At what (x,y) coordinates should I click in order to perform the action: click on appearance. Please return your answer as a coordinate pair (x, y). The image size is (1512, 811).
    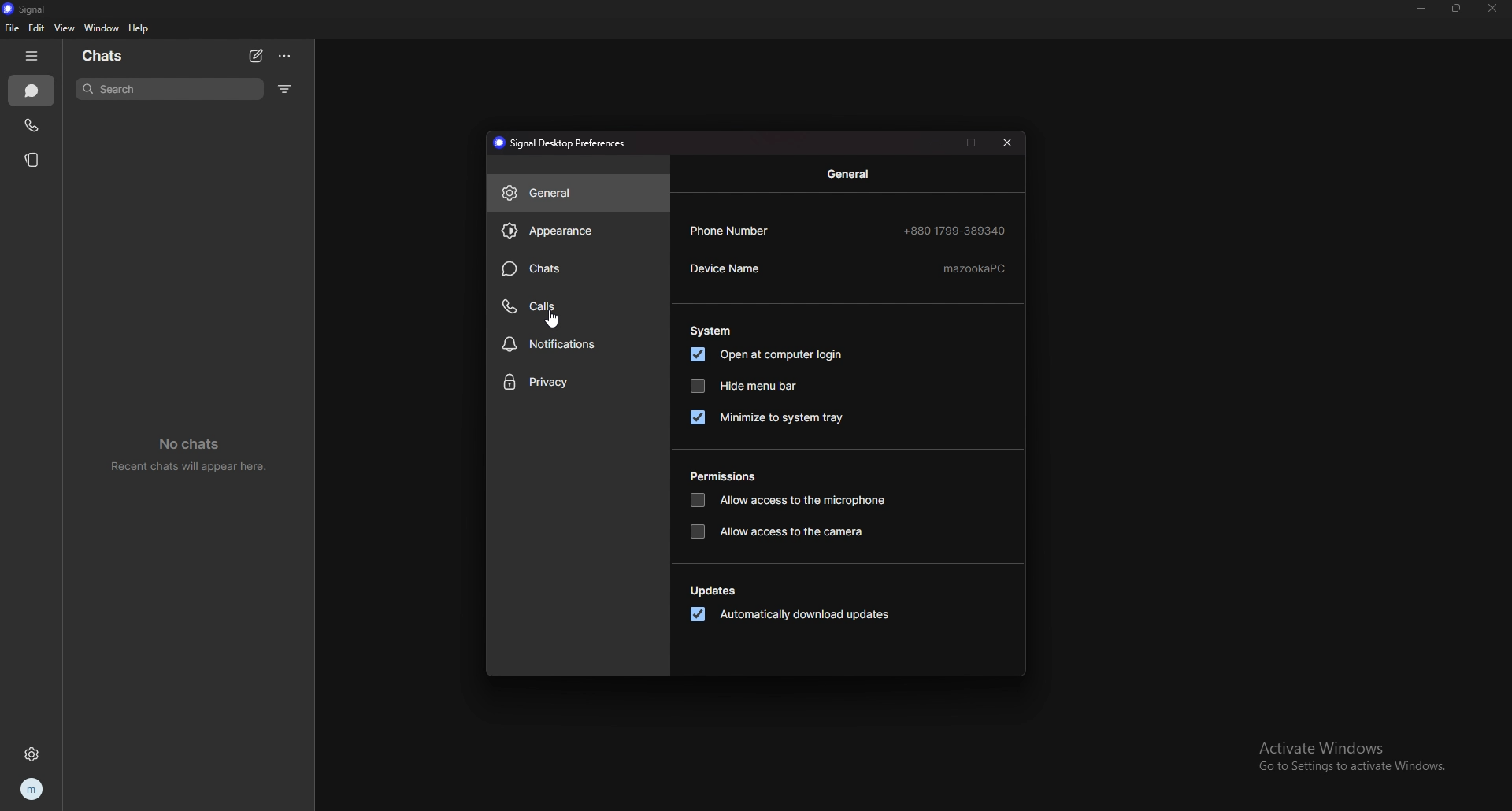
    Looking at the image, I should click on (578, 231).